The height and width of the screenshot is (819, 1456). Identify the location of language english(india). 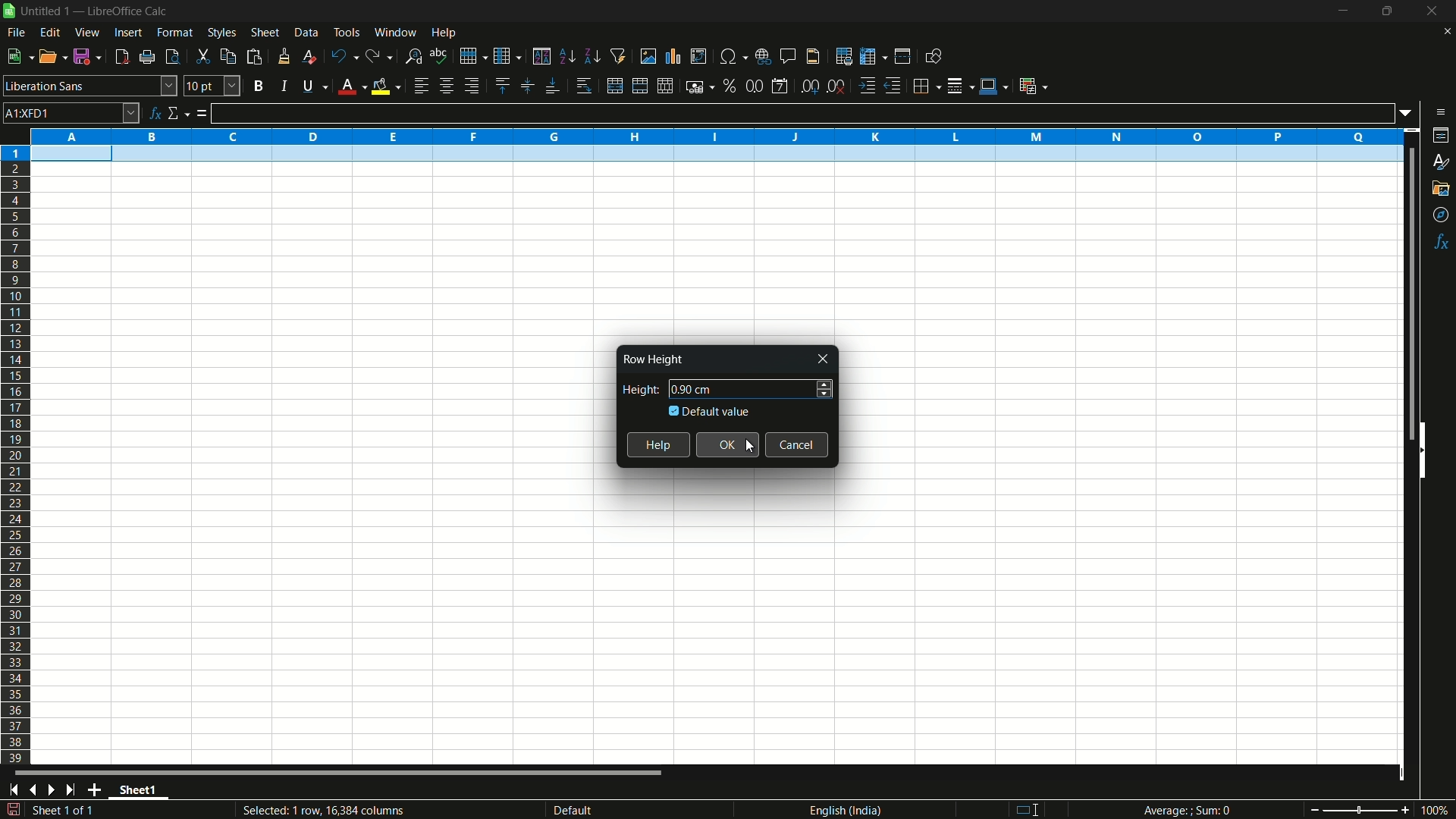
(841, 810).